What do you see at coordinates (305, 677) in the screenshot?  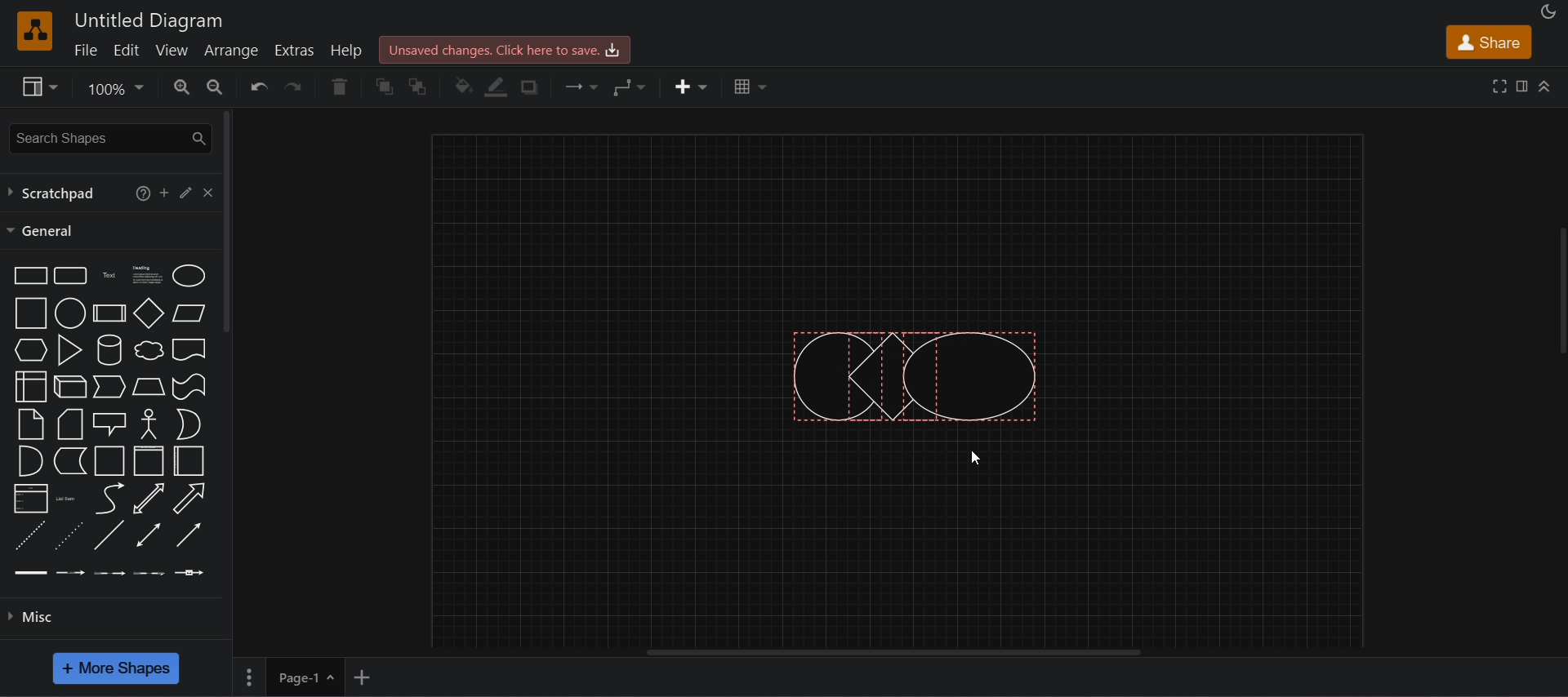 I see `page 1` at bounding box center [305, 677].